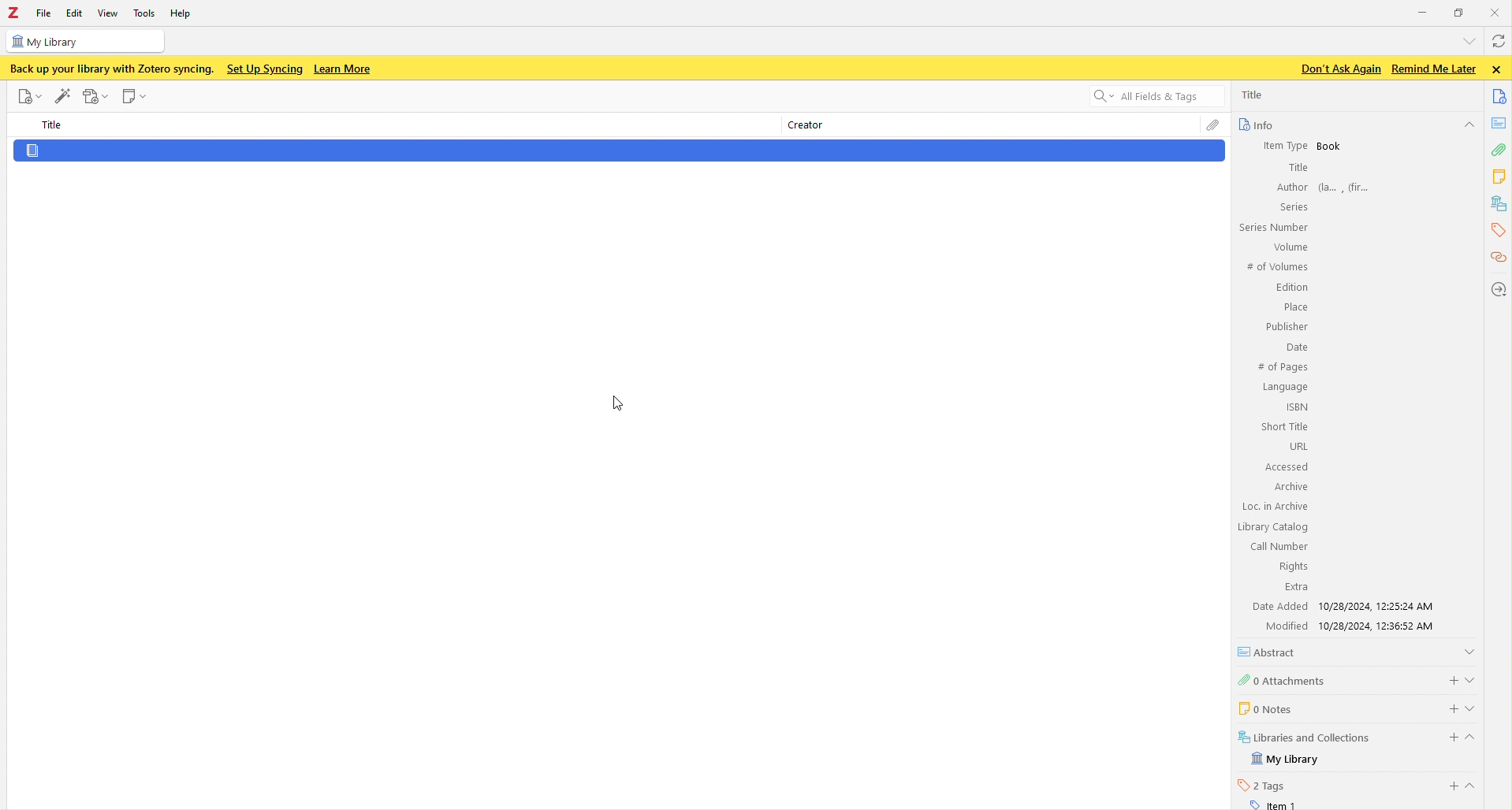 Image resolution: width=1512 pixels, height=810 pixels. What do you see at coordinates (54, 125) in the screenshot?
I see `Title` at bounding box center [54, 125].